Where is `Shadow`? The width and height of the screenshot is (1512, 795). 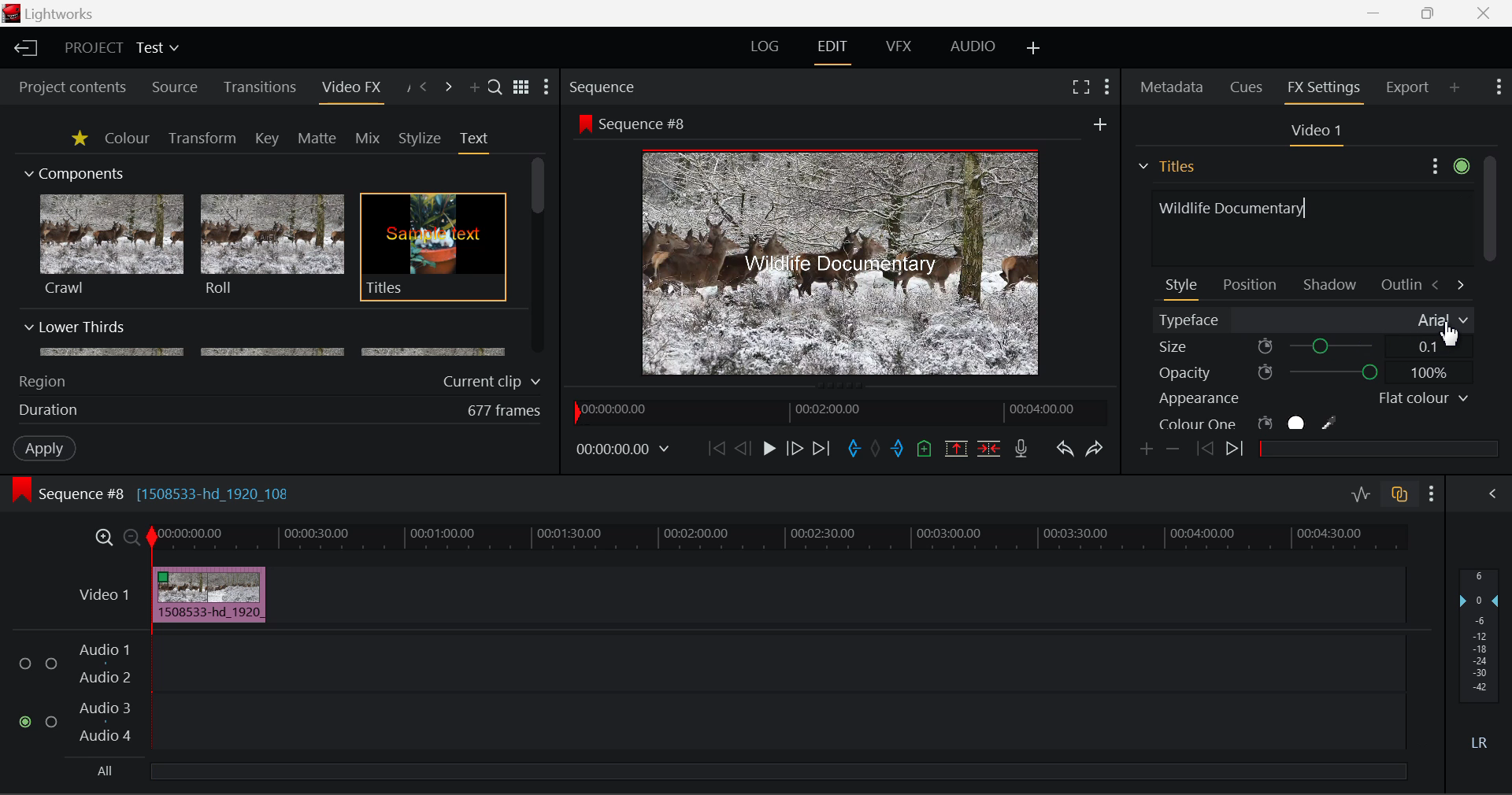 Shadow is located at coordinates (1331, 281).